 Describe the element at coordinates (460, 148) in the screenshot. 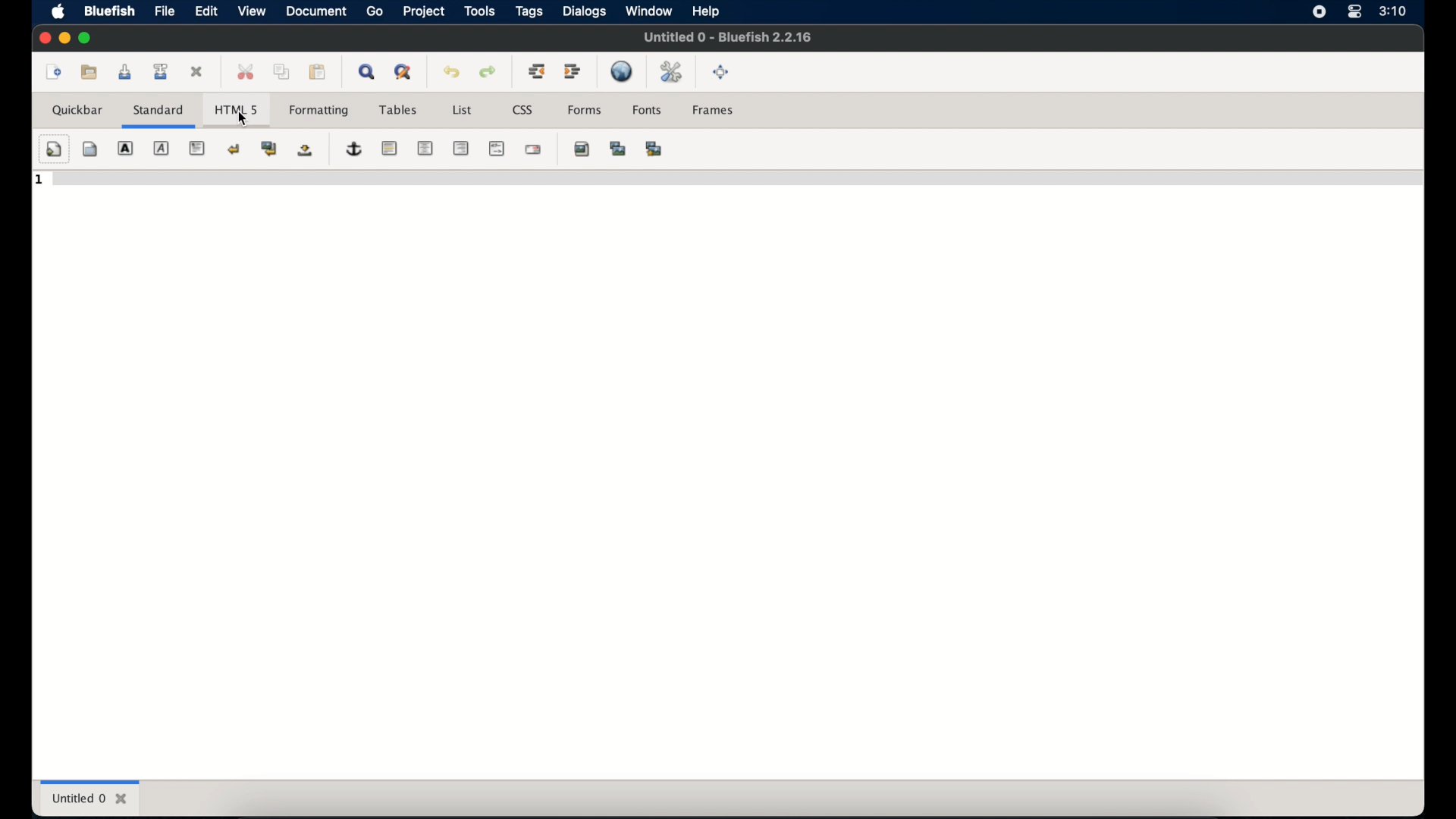

I see `right justify` at that location.